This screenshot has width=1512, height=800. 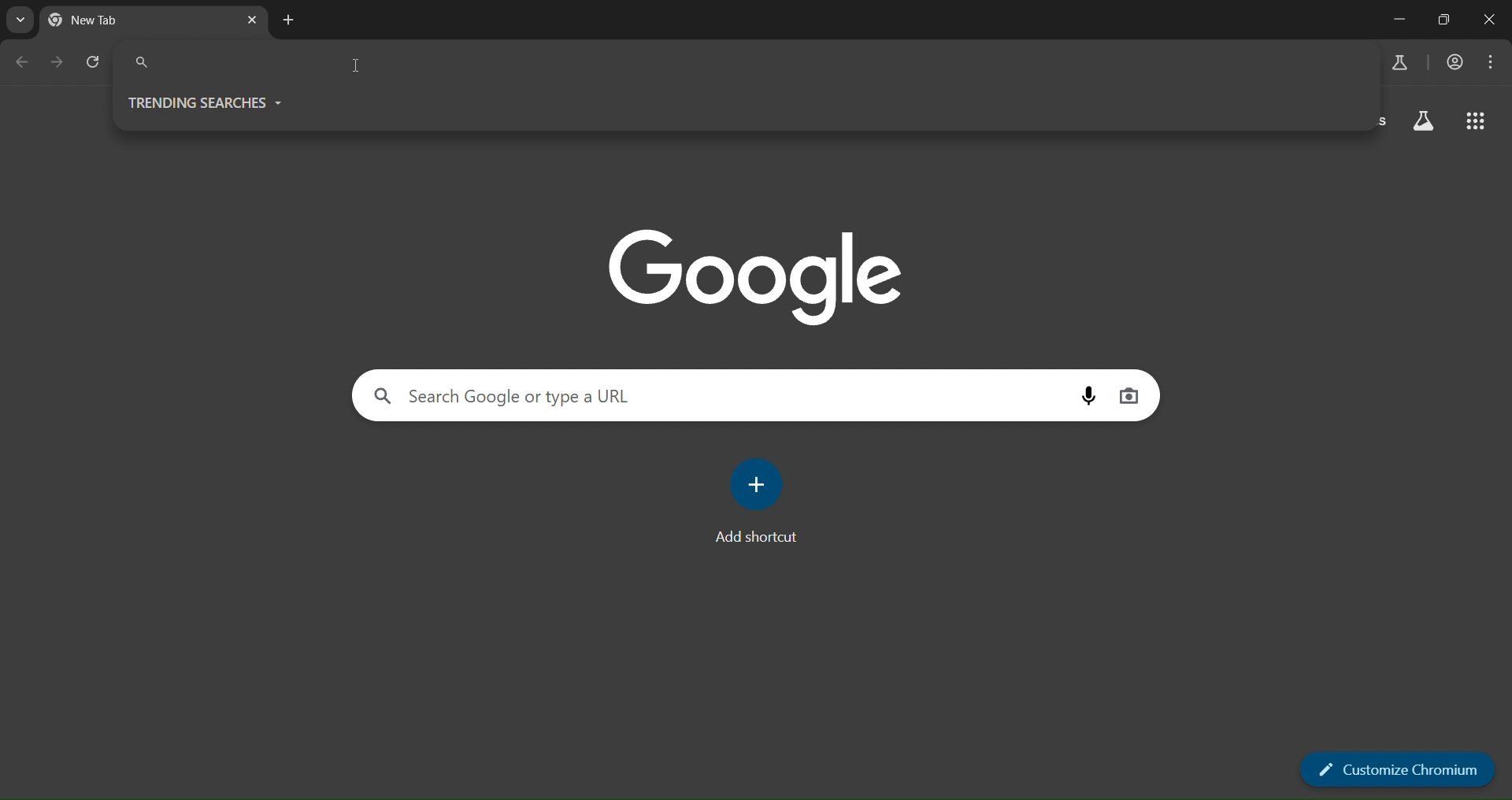 I want to click on cursor, so click(x=356, y=68).